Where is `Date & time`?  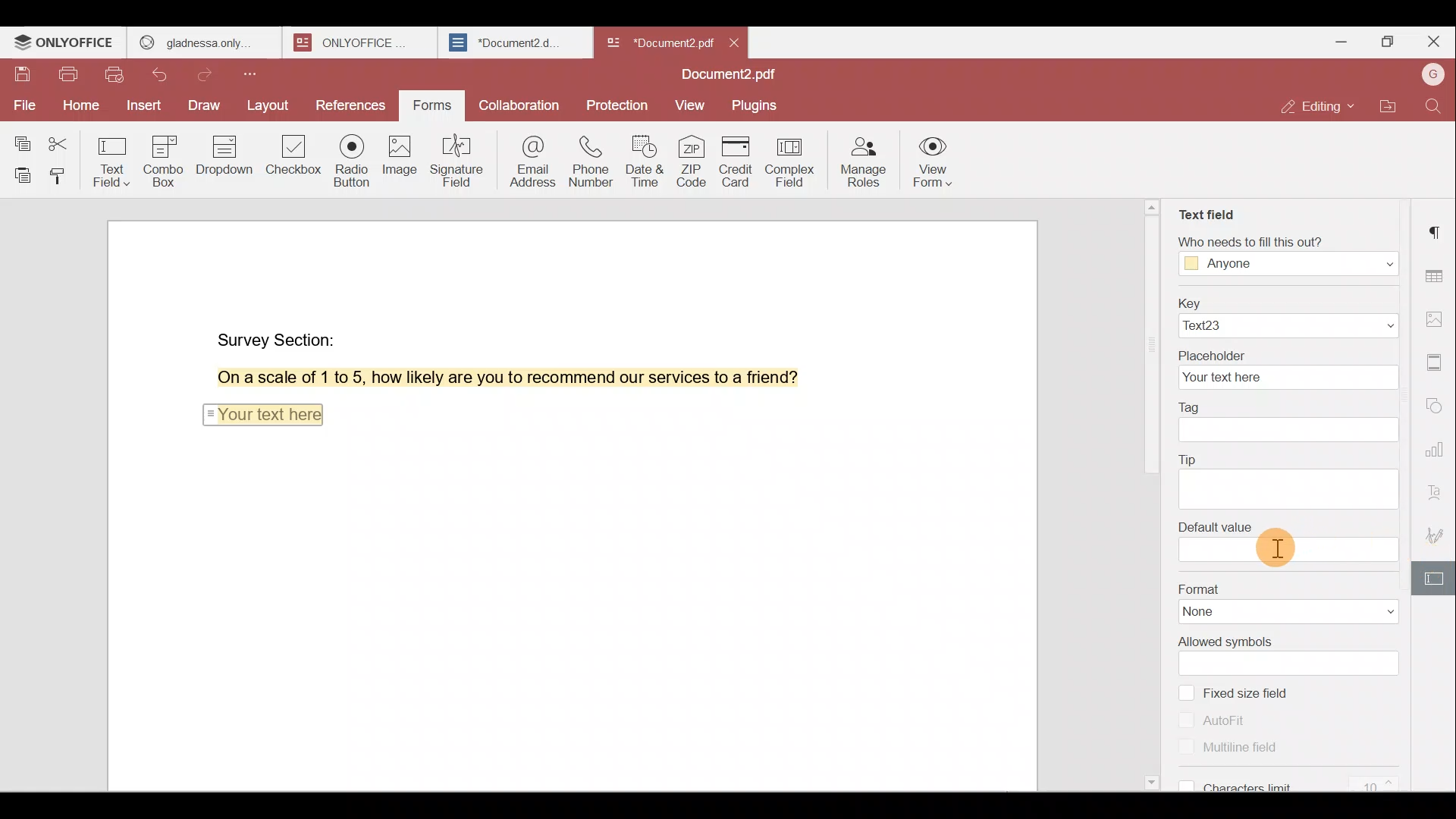 Date & time is located at coordinates (642, 157).